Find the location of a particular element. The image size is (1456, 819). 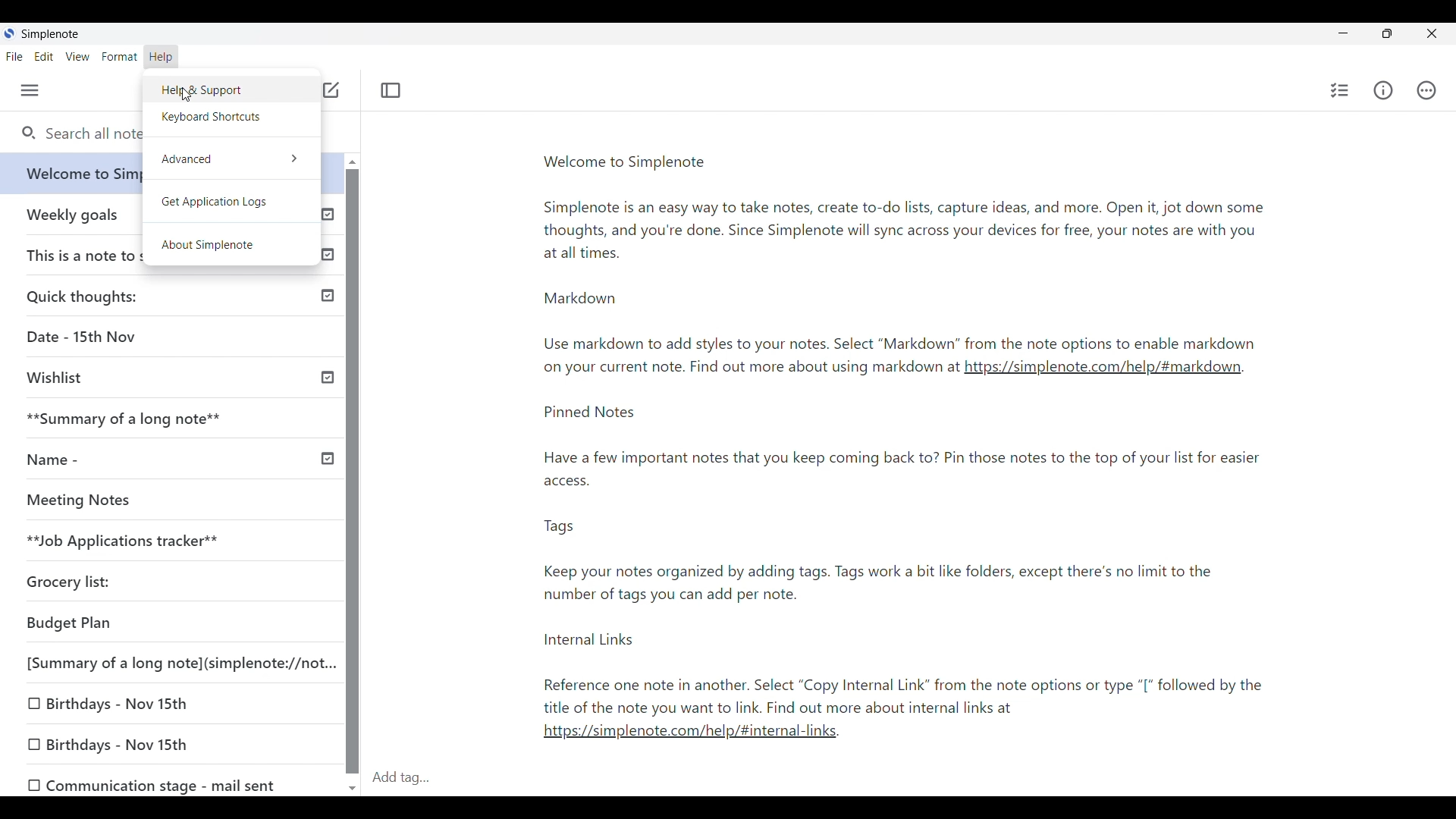

**Job Applications tracker** is located at coordinates (121, 541).